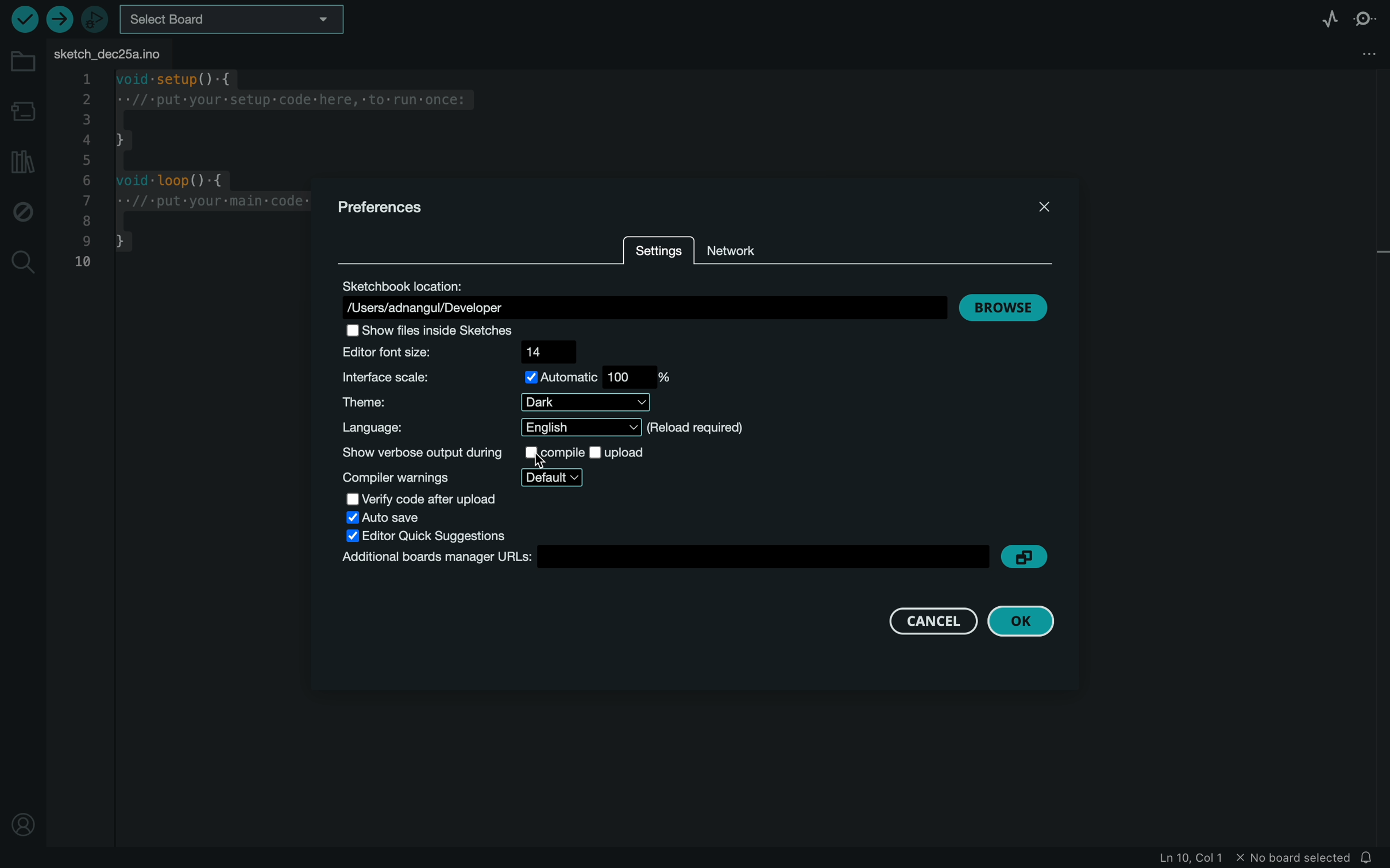 This screenshot has height=868, width=1390. What do you see at coordinates (770, 246) in the screenshot?
I see `network` at bounding box center [770, 246].